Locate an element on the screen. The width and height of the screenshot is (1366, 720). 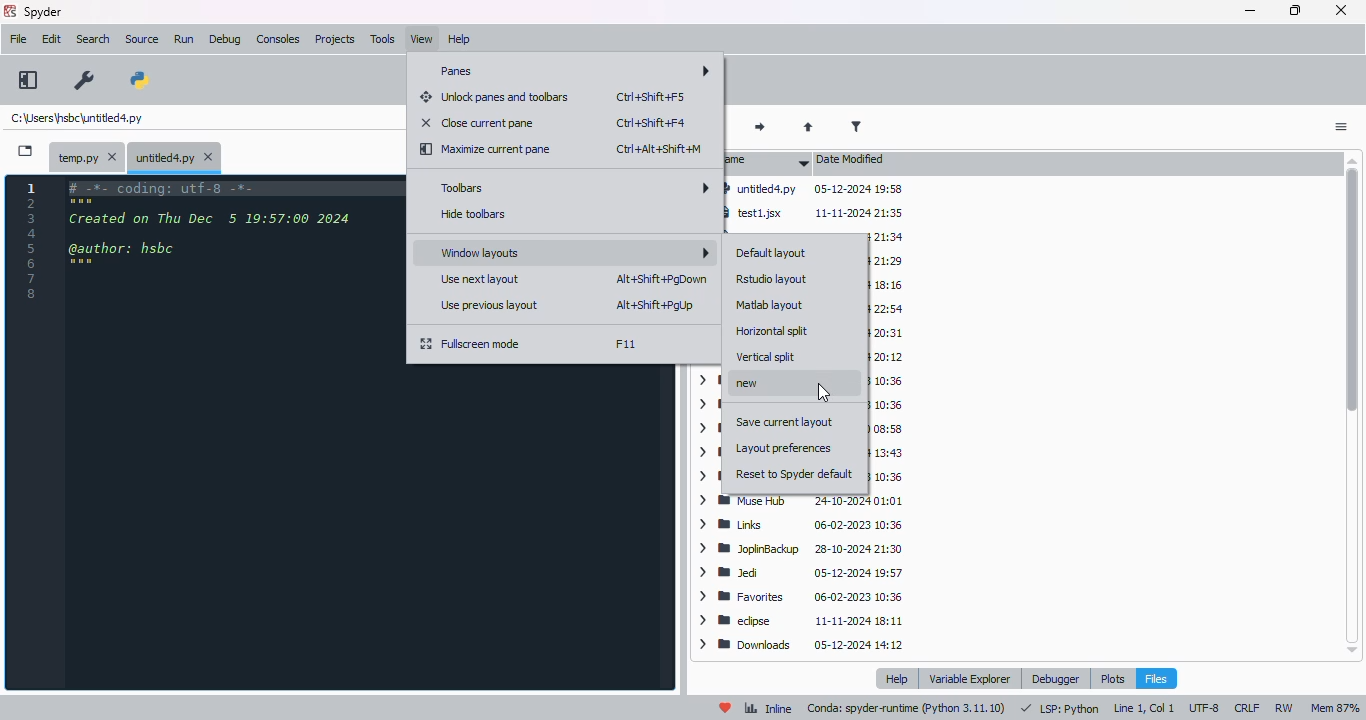
Muse Hub is located at coordinates (805, 501).